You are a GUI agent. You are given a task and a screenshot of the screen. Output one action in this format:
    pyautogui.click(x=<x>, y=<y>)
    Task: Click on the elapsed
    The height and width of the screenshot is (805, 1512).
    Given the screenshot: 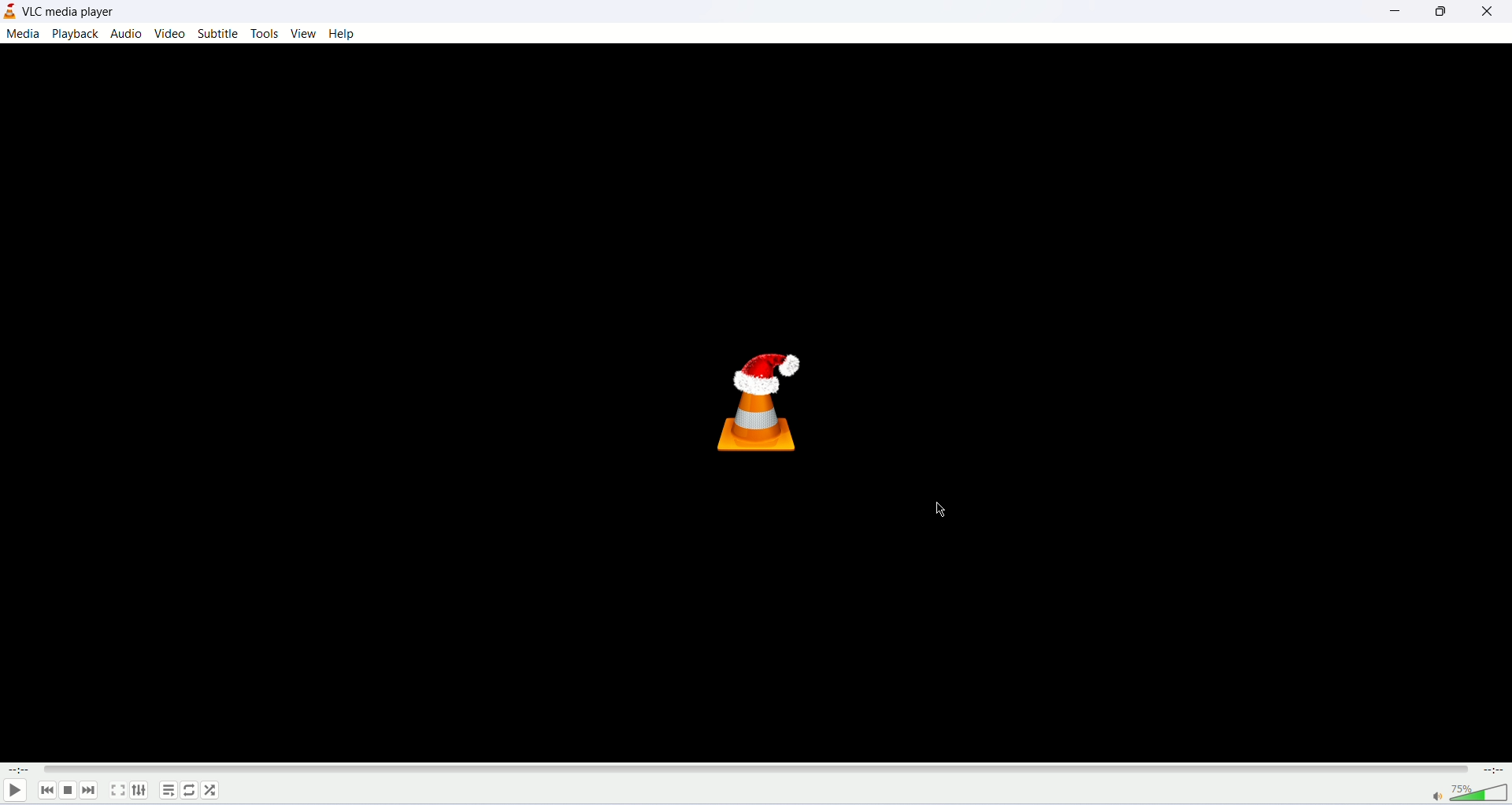 What is the action you would take?
    pyautogui.click(x=20, y=770)
    